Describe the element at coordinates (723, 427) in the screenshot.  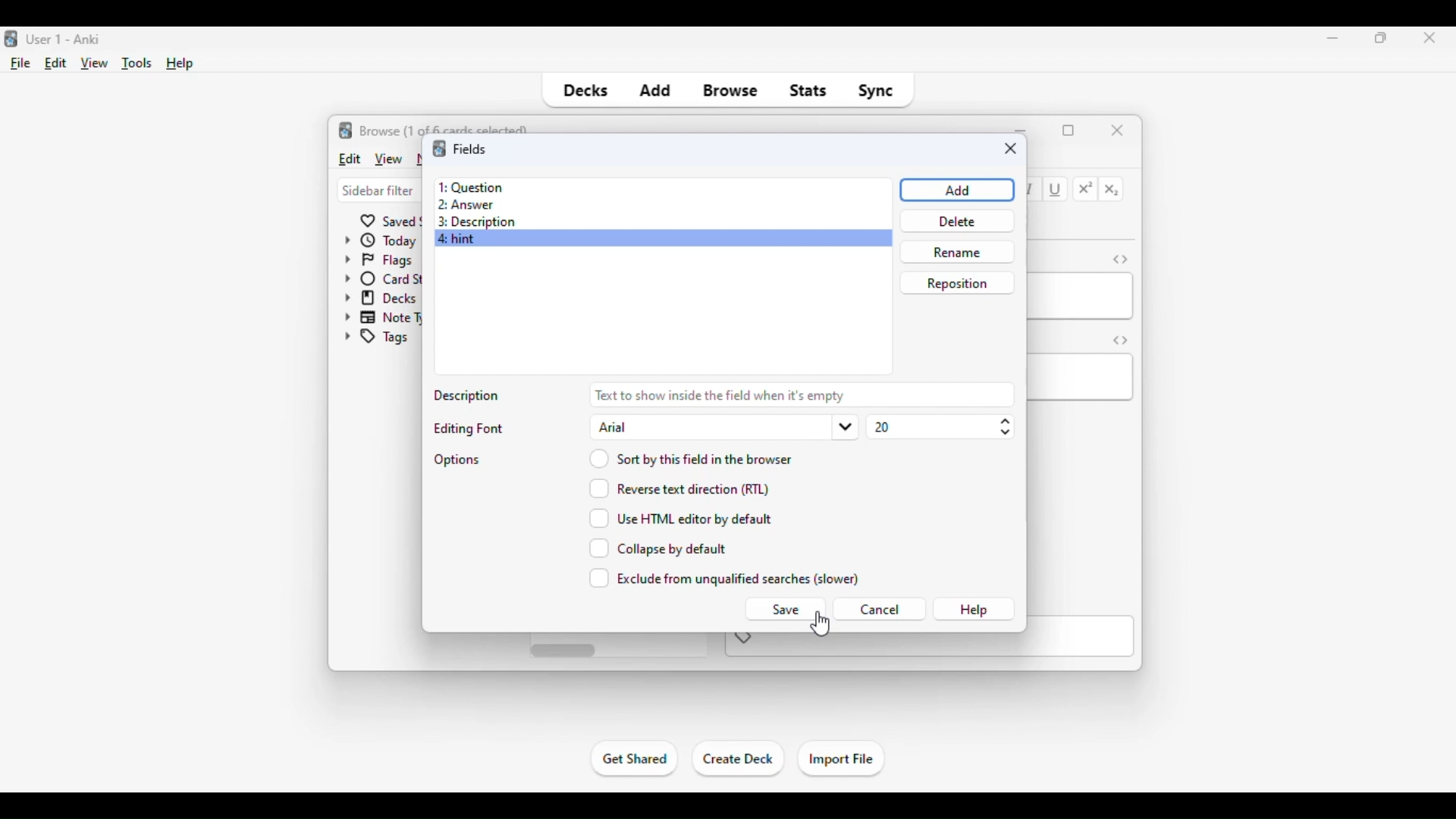
I see `arial` at that location.